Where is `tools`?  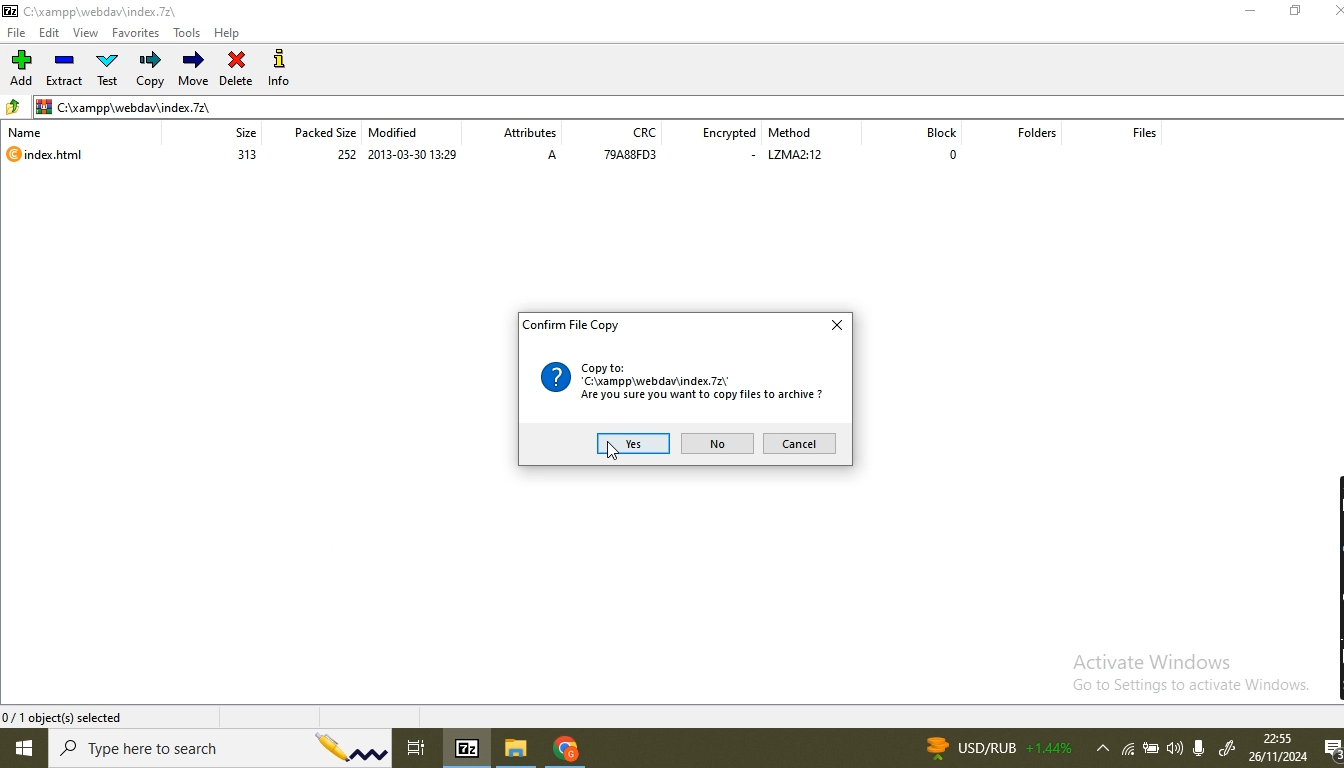 tools is located at coordinates (190, 34).